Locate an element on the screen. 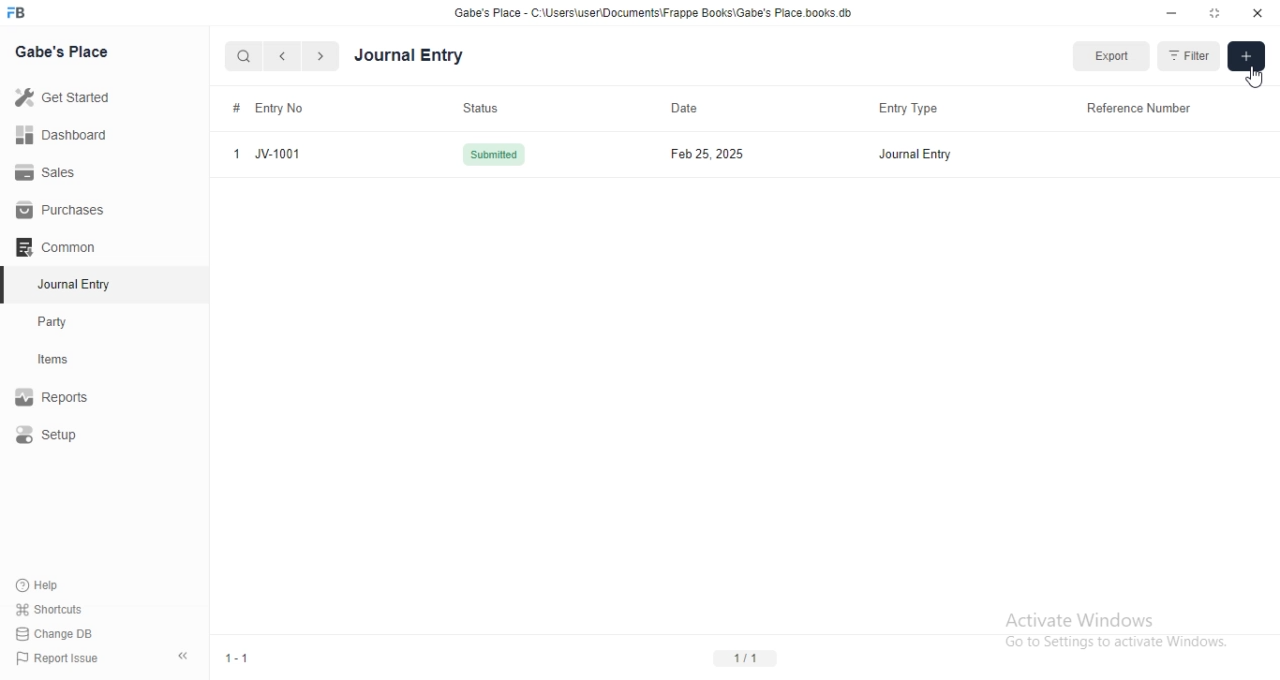 The image size is (1280, 680). Status is located at coordinates (484, 109).